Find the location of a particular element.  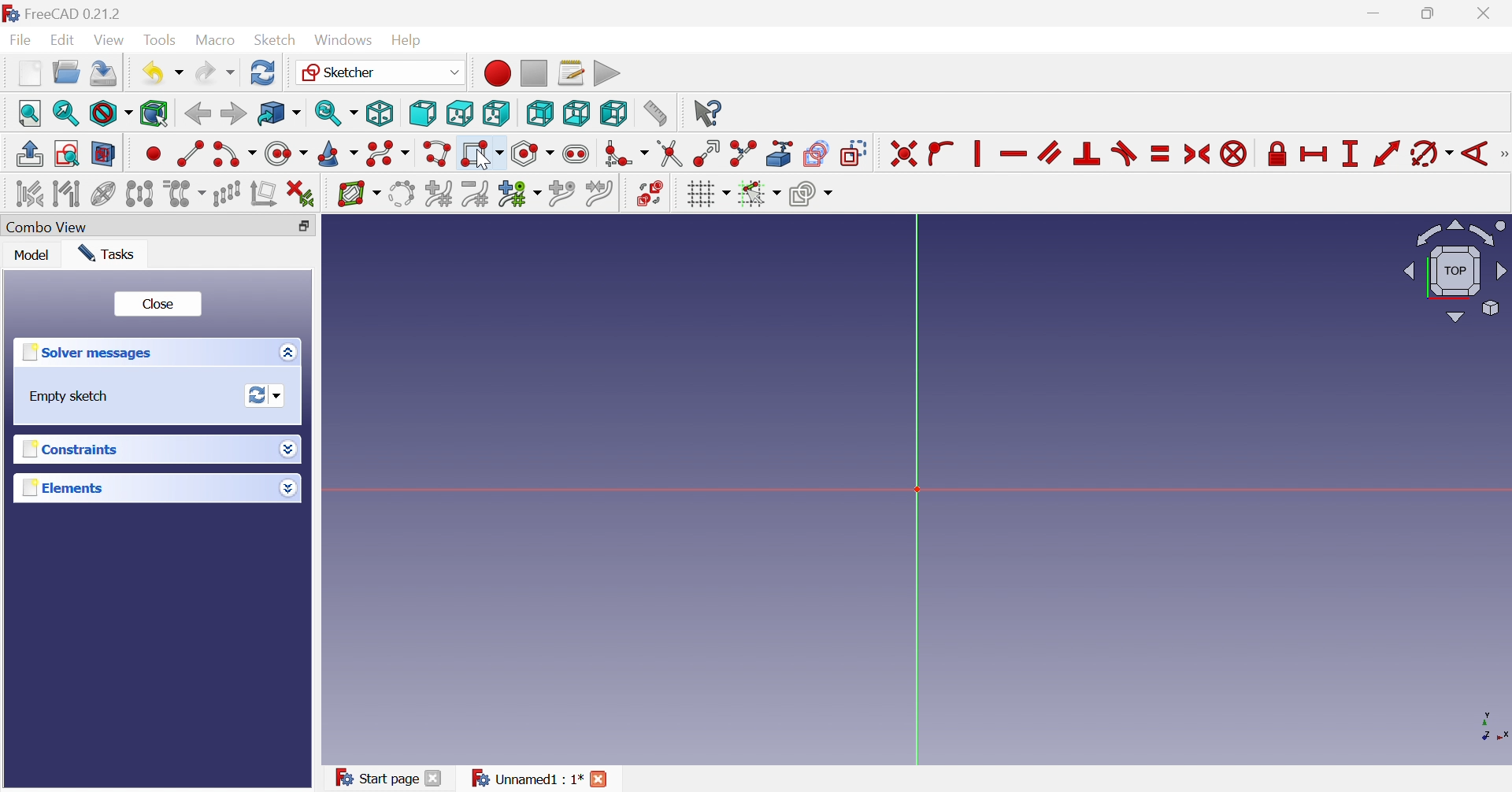

Constrain coincident is located at coordinates (903, 154).